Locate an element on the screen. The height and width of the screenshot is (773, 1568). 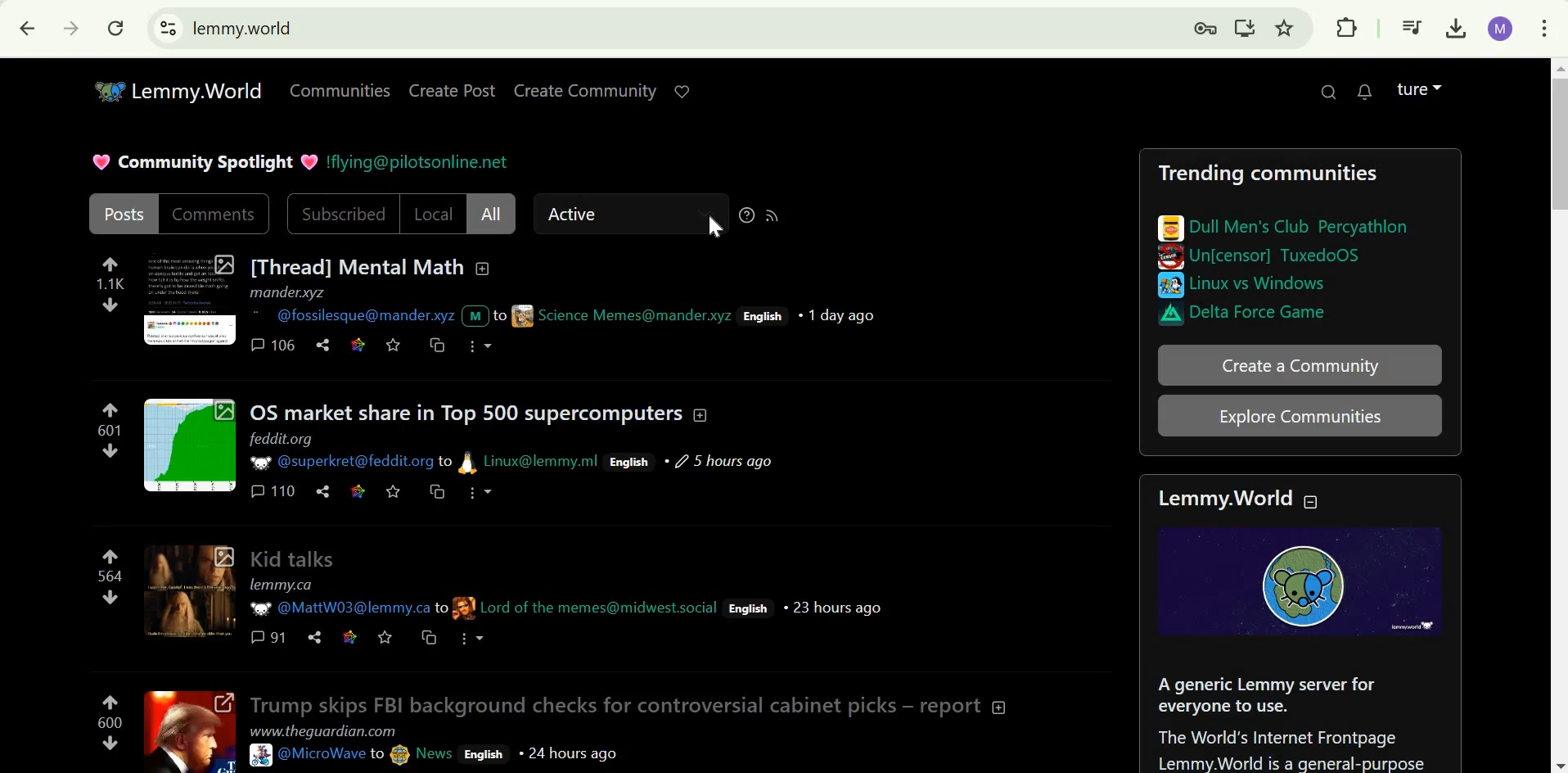
lemmy.ca is located at coordinates (282, 585).